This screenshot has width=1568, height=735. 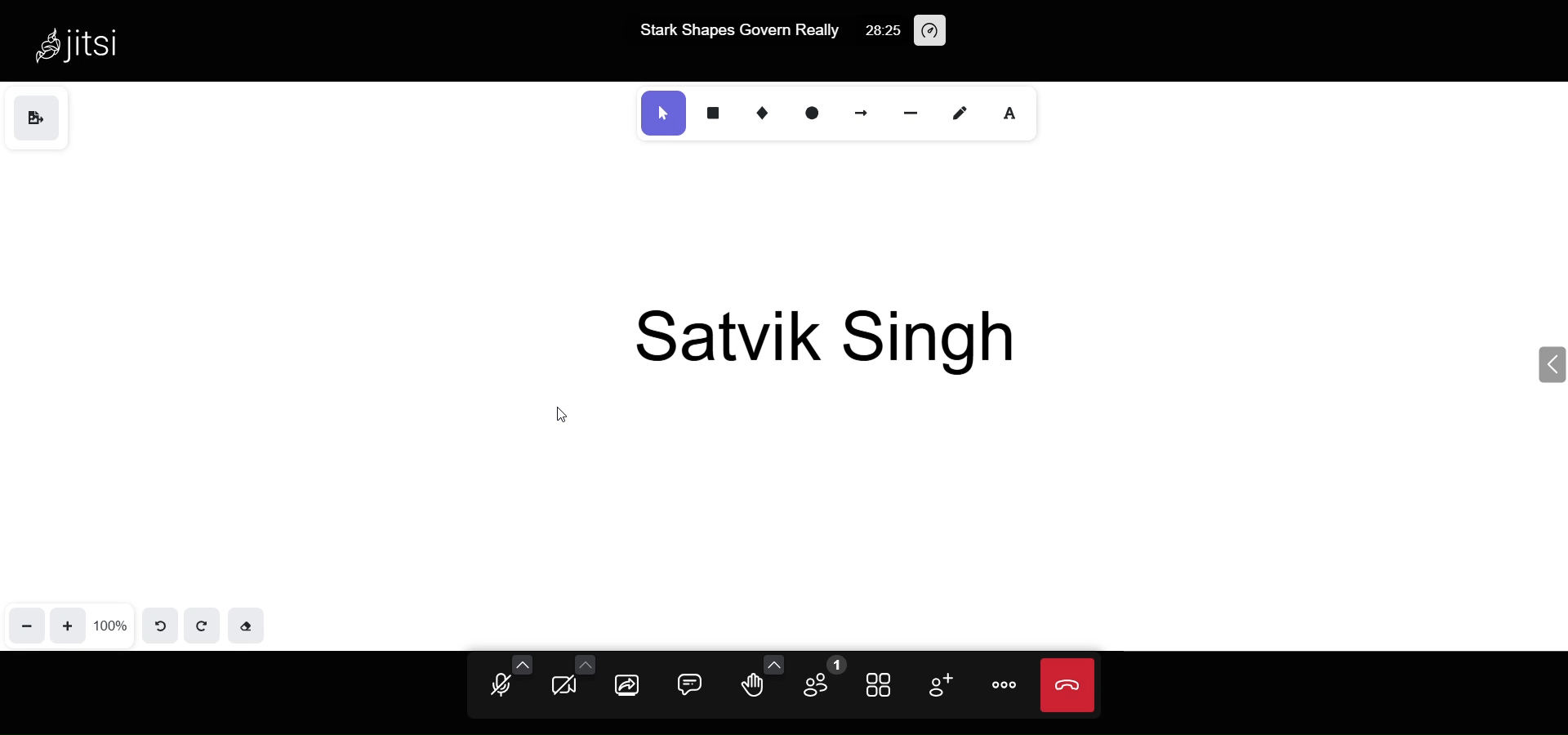 What do you see at coordinates (822, 679) in the screenshot?
I see `participant` at bounding box center [822, 679].